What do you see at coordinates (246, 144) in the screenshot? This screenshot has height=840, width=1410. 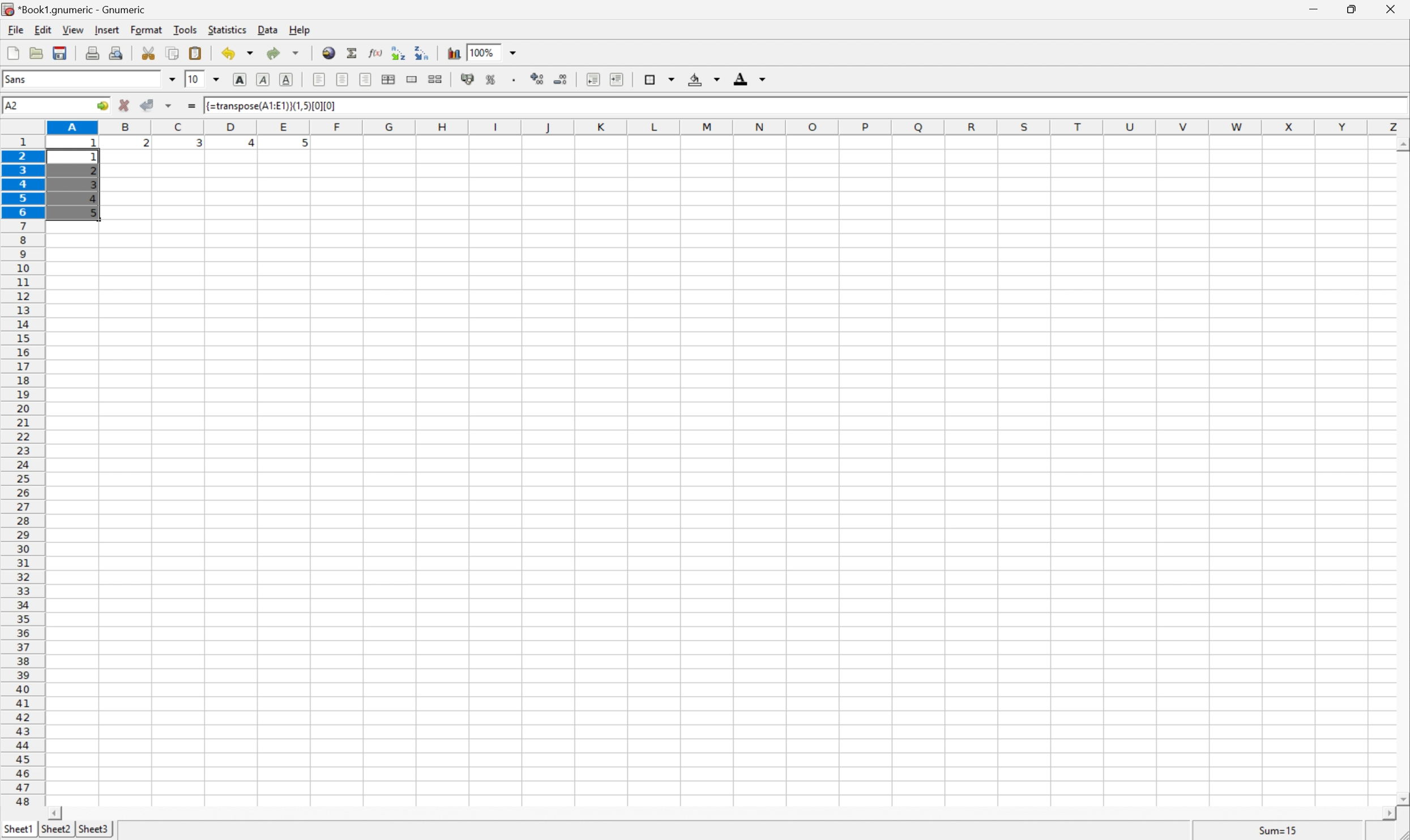 I see `4` at bounding box center [246, 144].